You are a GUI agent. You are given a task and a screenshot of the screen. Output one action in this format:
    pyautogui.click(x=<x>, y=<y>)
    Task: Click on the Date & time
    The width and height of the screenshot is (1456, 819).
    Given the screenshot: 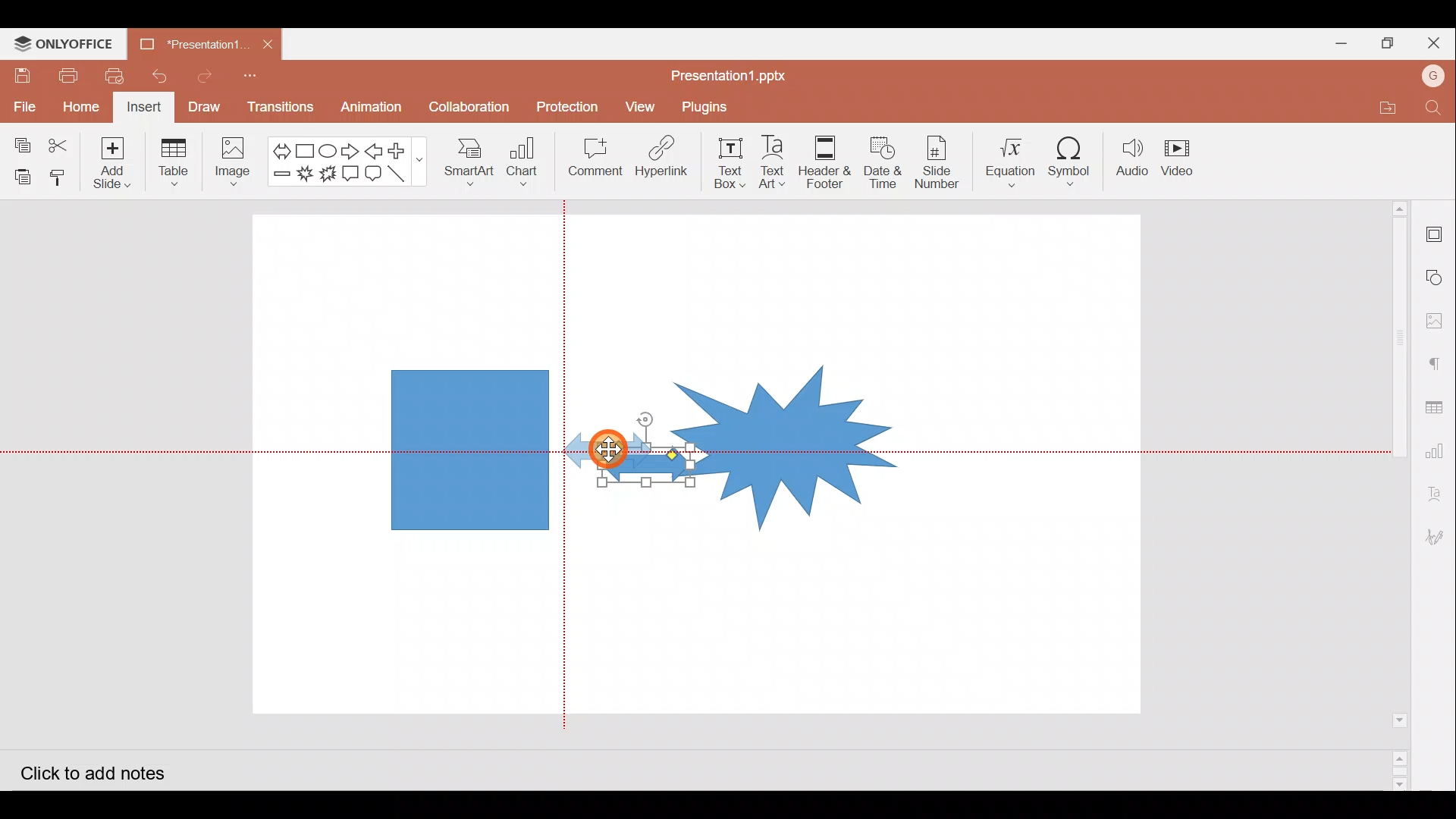 What is the action you would take?
    pyautogui.click(x=883, y=162)
    